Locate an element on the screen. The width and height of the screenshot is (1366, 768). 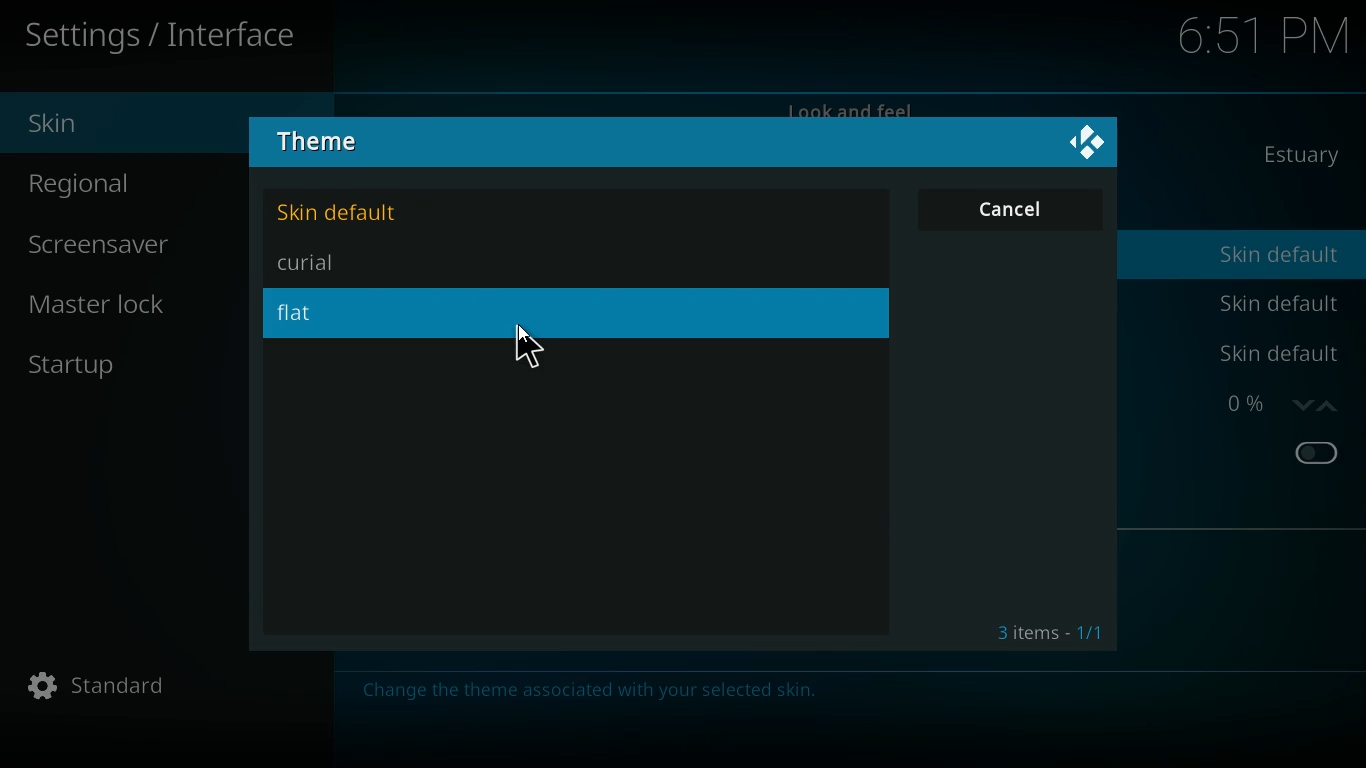
zoom is located at coordinates (1272, 404).